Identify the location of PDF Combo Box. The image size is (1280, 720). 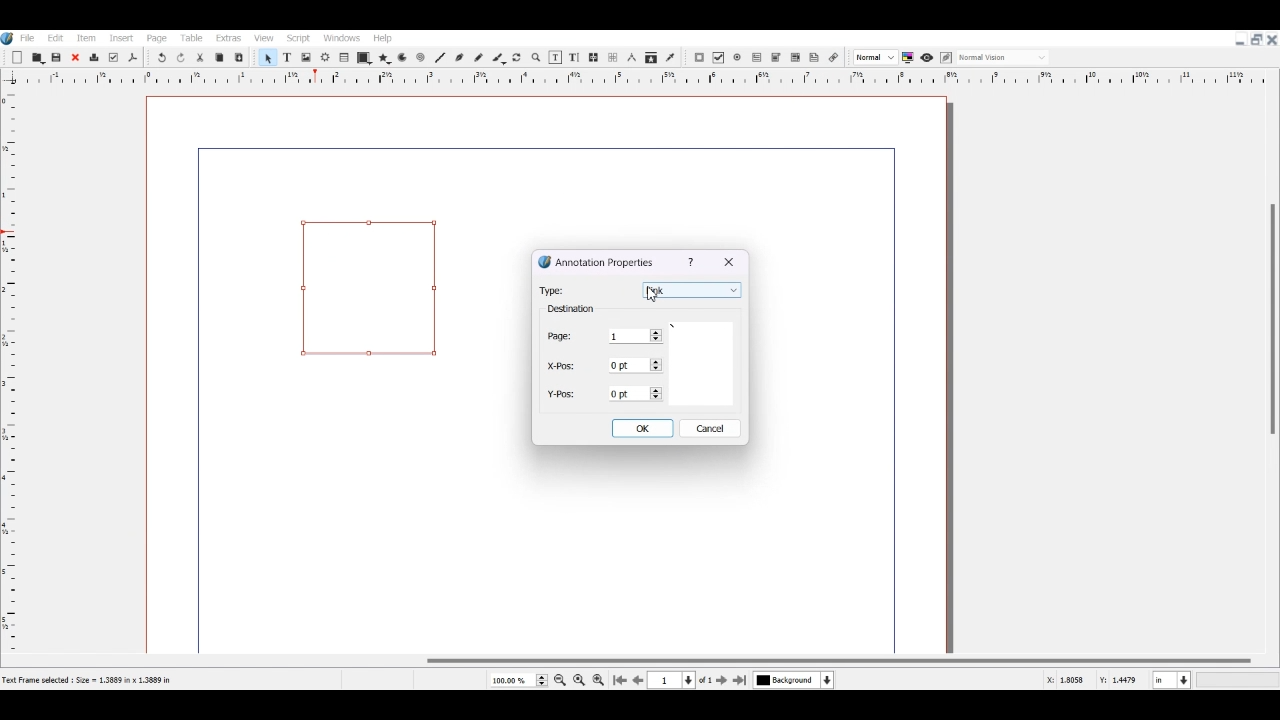
(776, 58).